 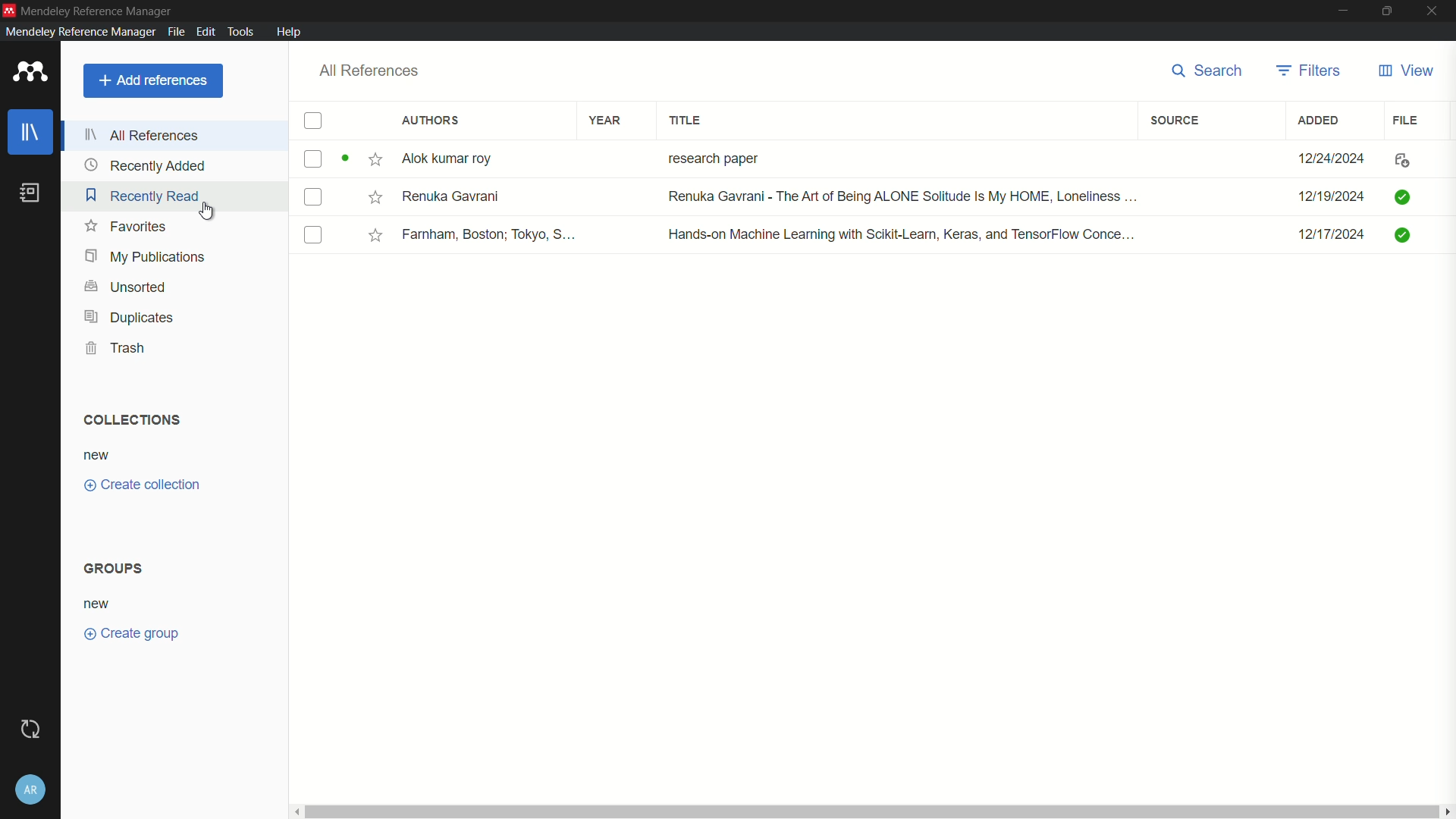 I want to click on book, so click(x=30, y=192).